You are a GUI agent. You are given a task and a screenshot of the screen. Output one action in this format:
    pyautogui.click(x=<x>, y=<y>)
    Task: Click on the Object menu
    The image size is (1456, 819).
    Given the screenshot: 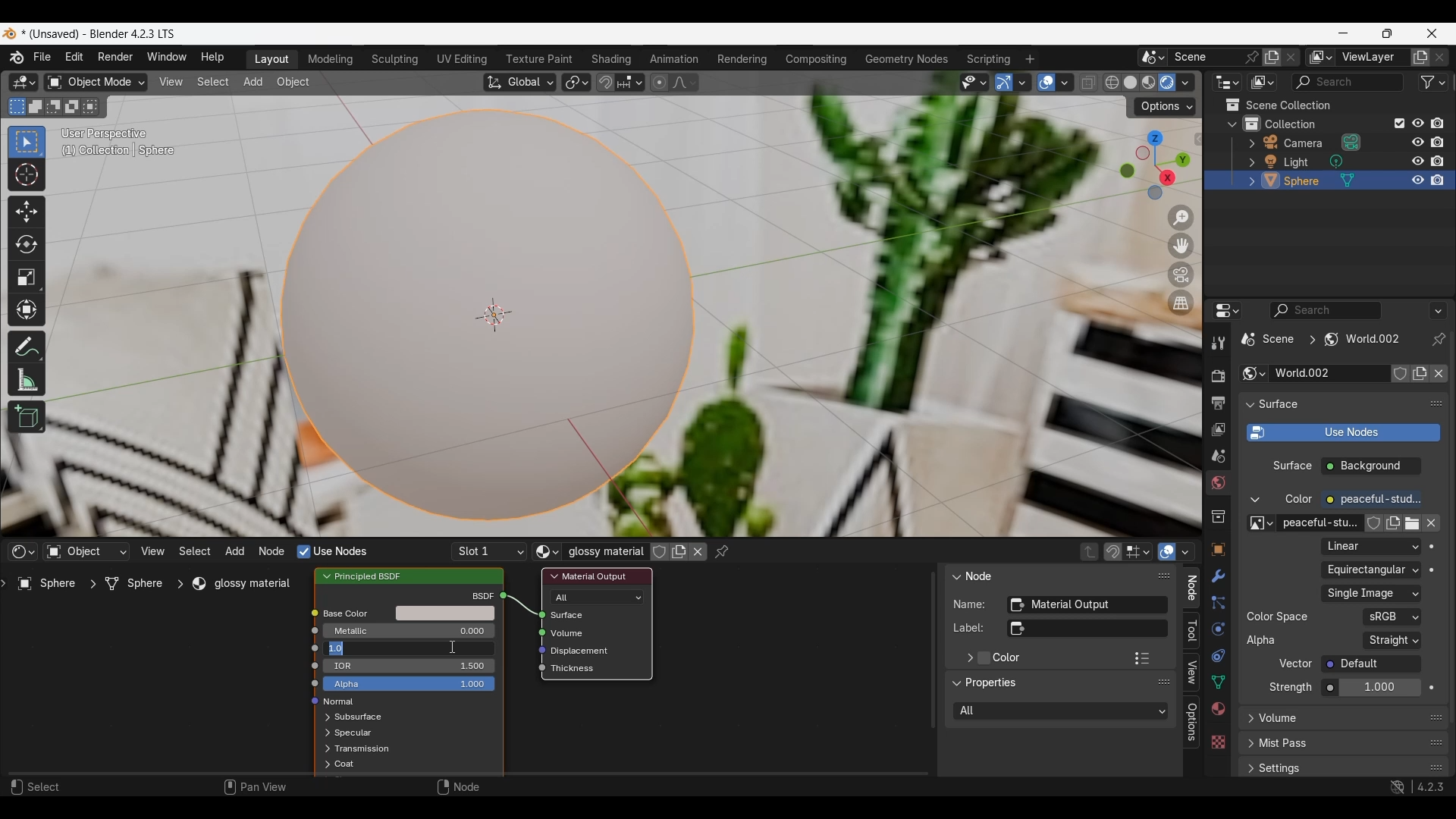 What is the action you would take?
    pyautogui.click(x=293, y=83)
    